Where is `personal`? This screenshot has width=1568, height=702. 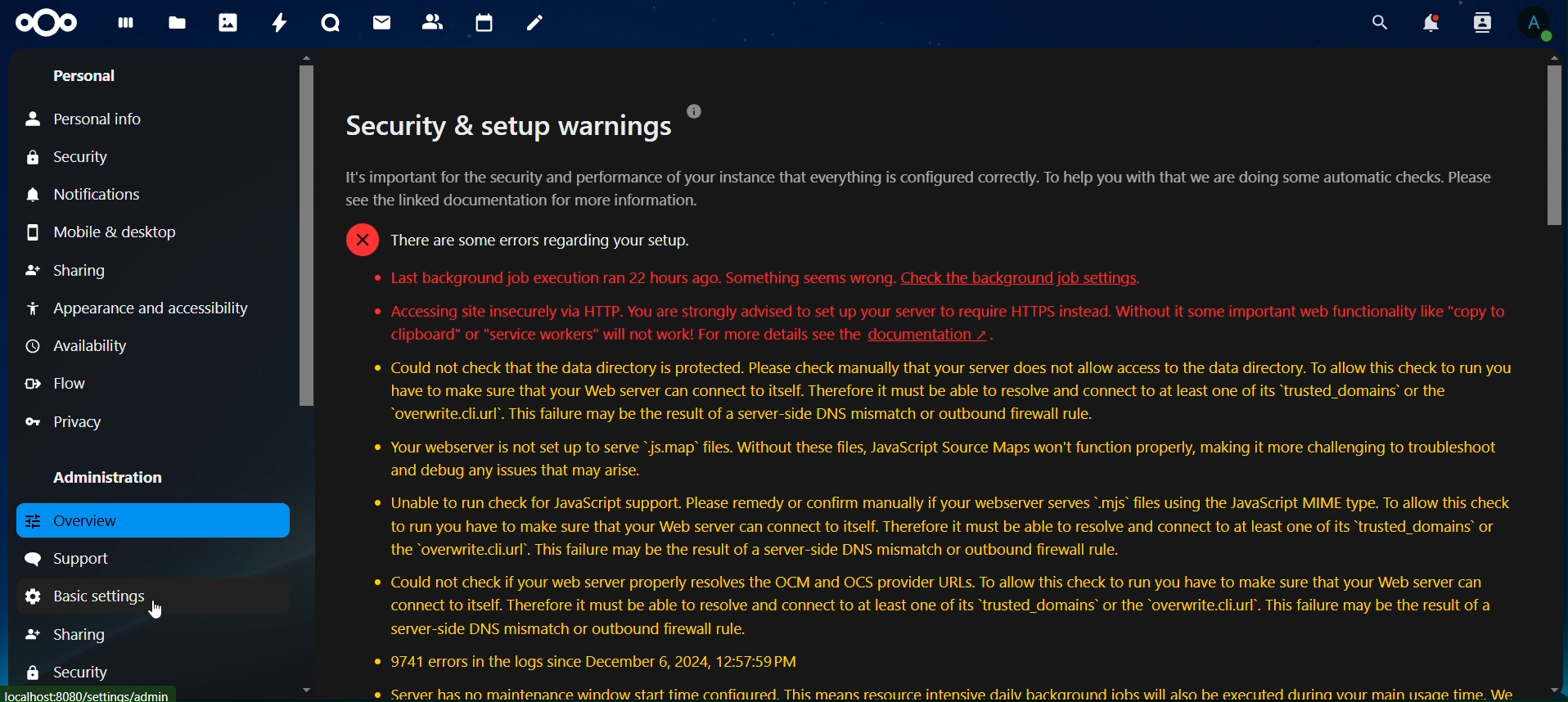 personal is located at coordinates (86, 79).